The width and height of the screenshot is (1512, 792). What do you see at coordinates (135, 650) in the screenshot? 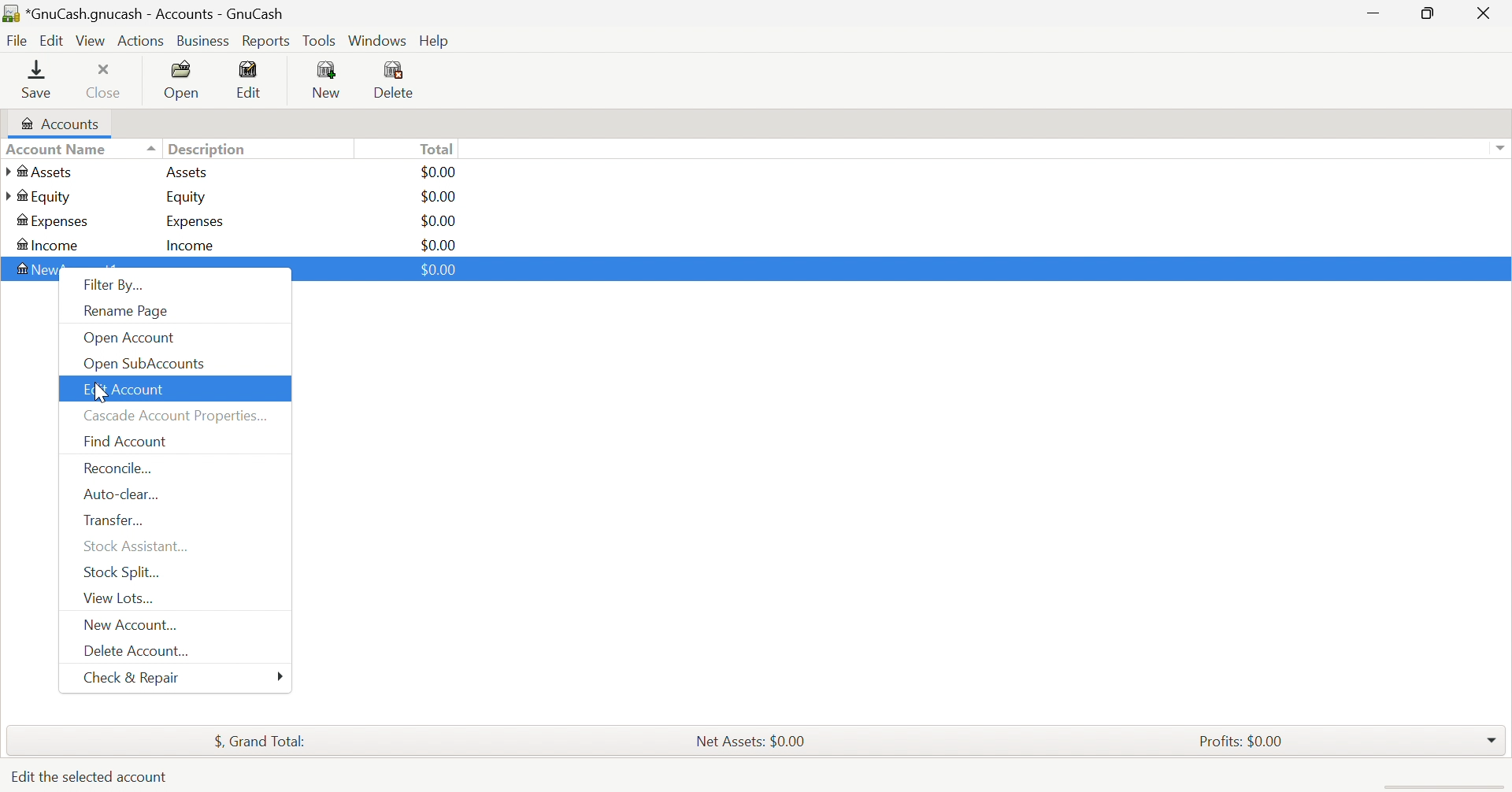
I see `Delete Account...` at bounding box center [135, 650].